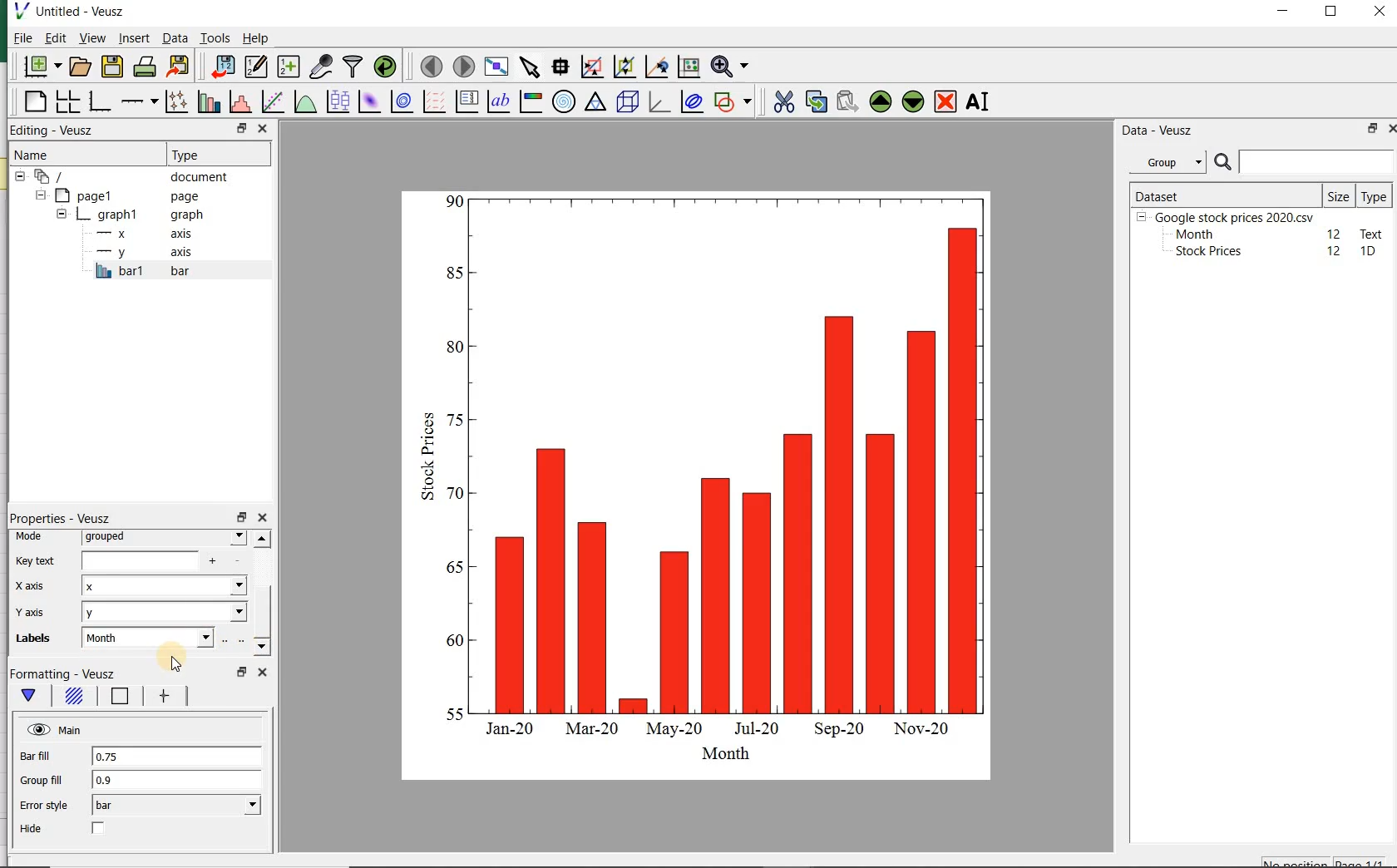 The width and height of the screenshot is (1397, 868). I want to click on plot box plots, so click(335, 103).